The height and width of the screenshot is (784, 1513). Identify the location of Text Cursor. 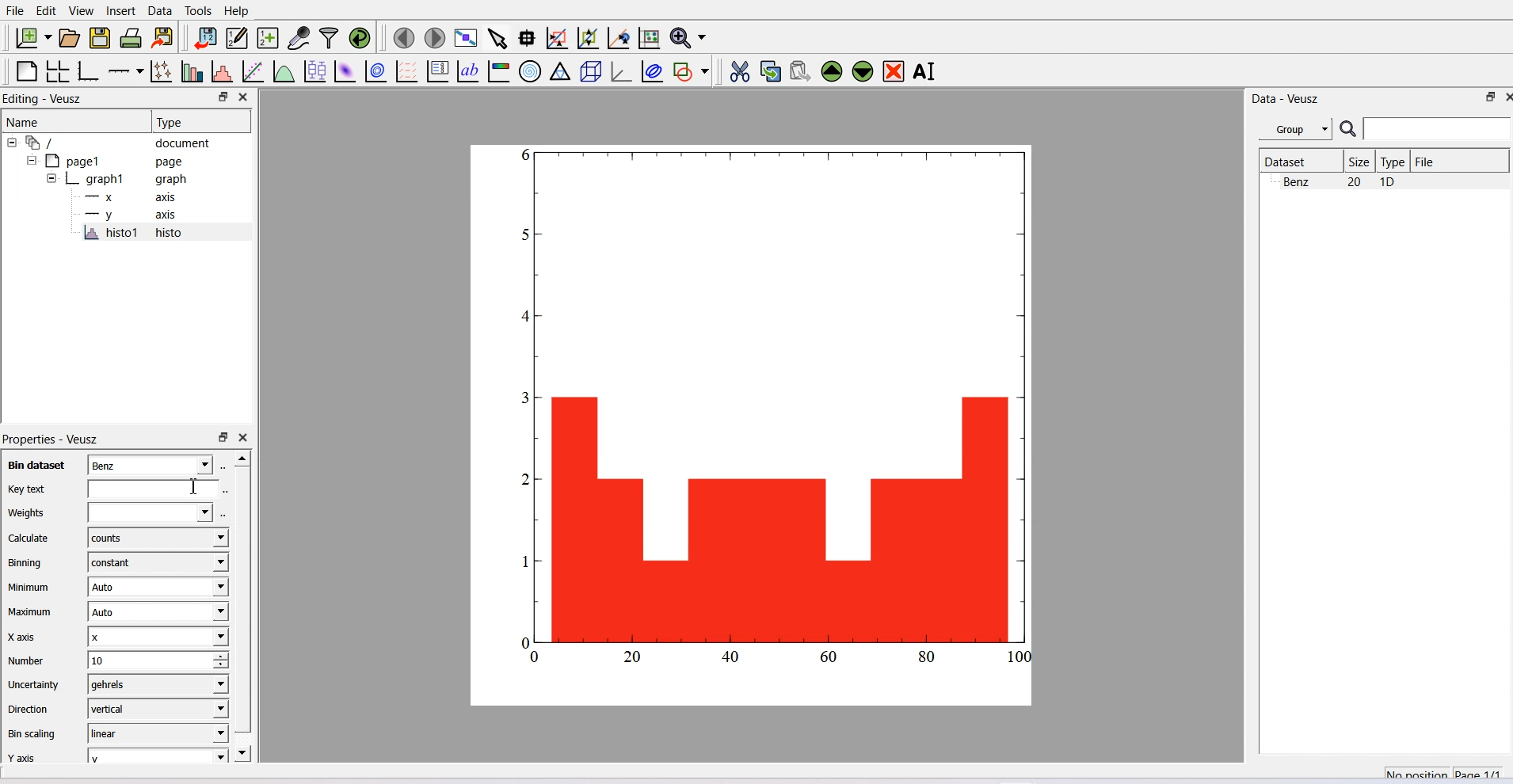
(196, 486).